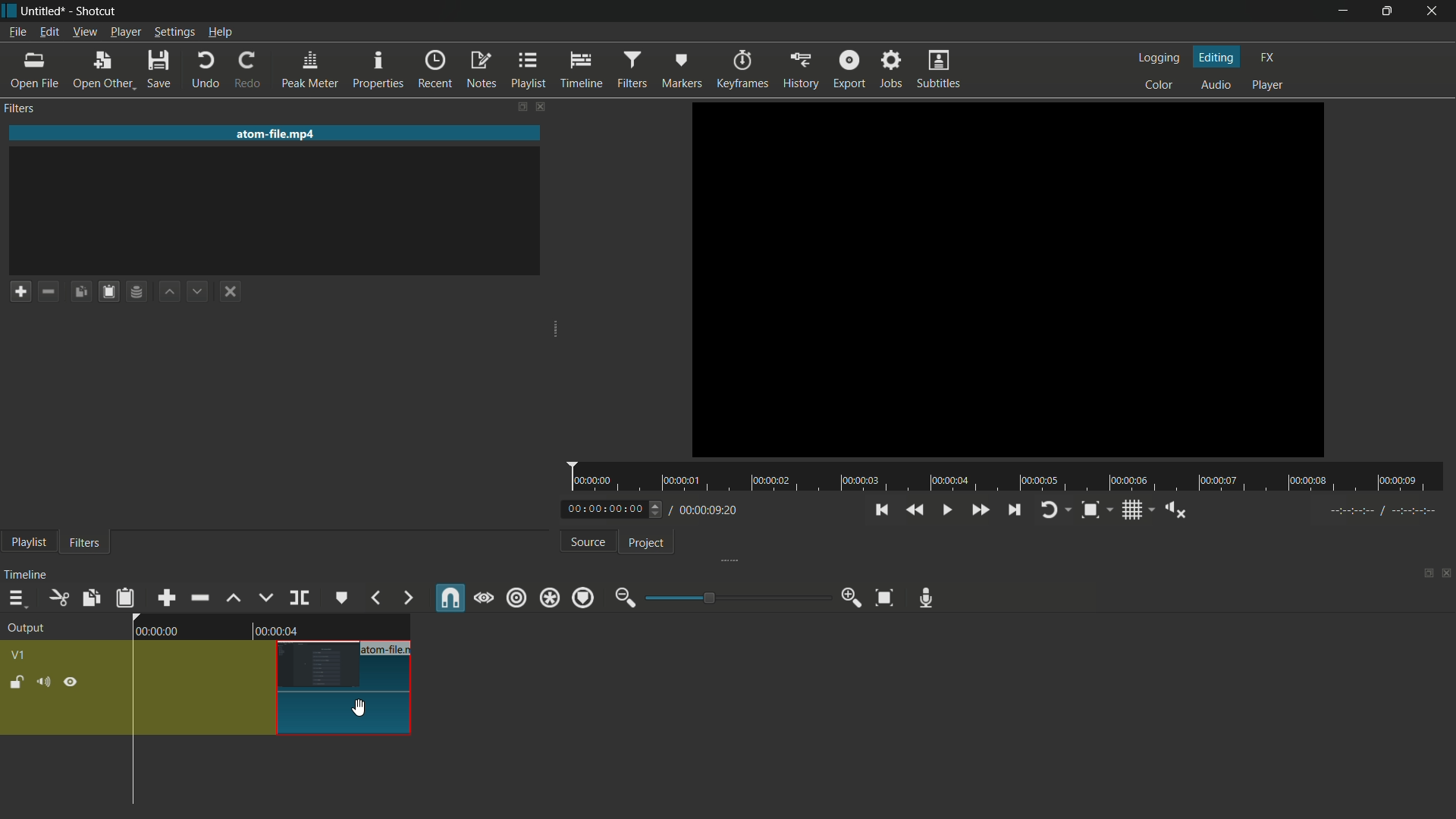 This screenshot has height=819, width=1456. Describe the element at coordinates (17, 32) in the screenshot. I see `file menu` at that location.